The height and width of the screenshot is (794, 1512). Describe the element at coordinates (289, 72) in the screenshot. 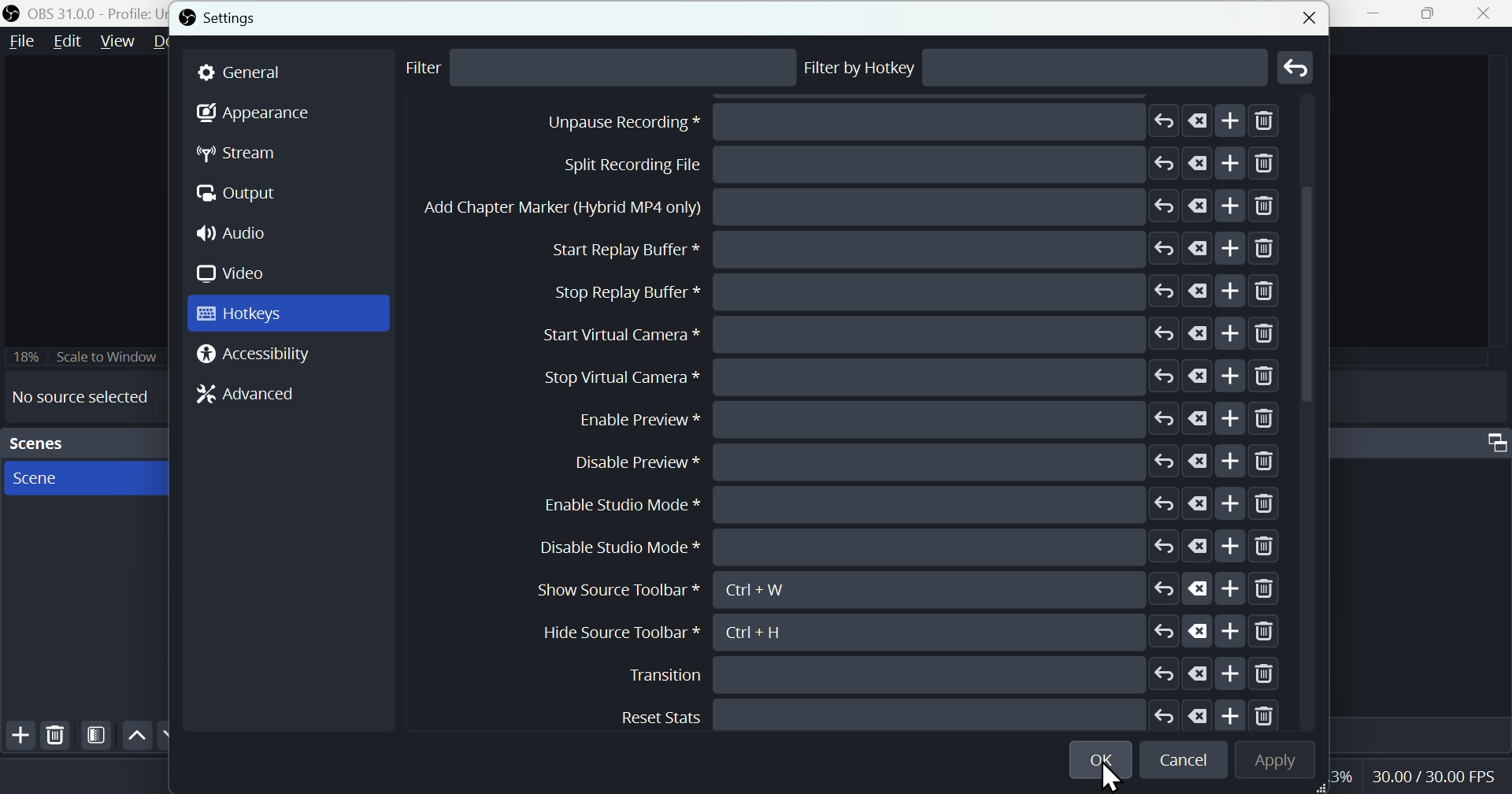

I see `general` at that location.